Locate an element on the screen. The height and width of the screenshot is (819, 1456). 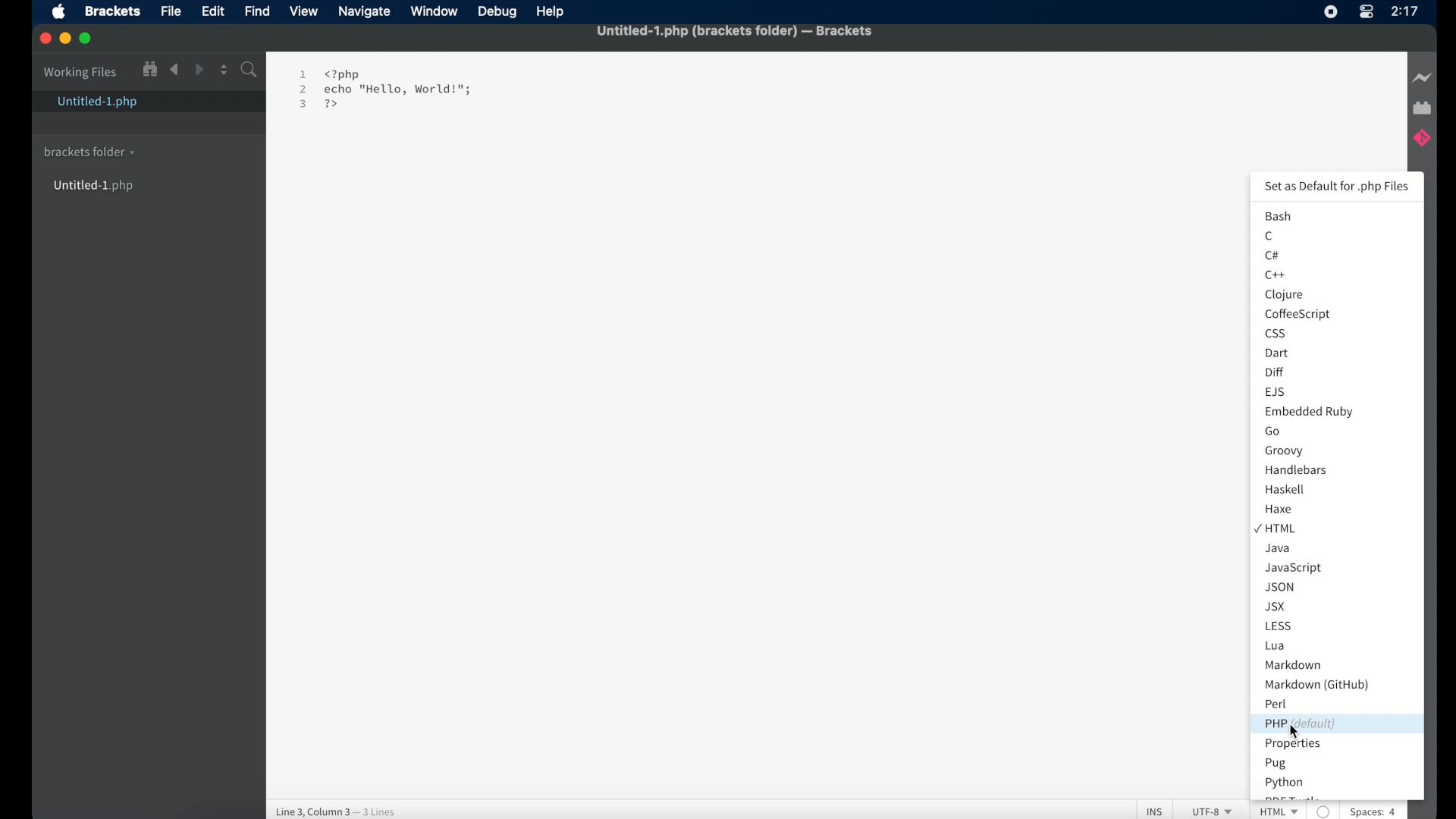
line 3, column 3 - 3 lines is located at coordinates (340, 809).